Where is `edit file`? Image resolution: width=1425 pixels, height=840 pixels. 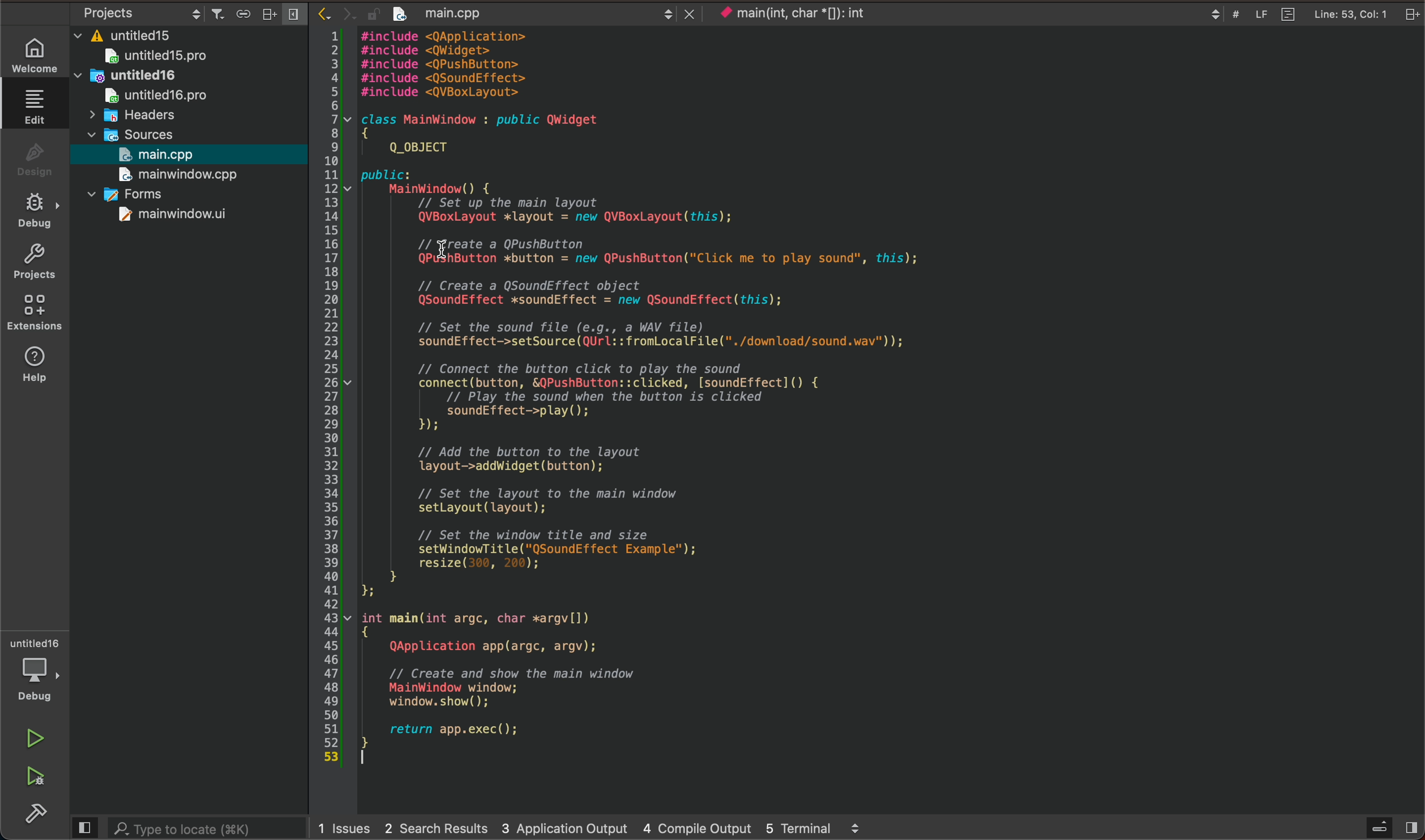
edit file is located at coordinates (36, 107).